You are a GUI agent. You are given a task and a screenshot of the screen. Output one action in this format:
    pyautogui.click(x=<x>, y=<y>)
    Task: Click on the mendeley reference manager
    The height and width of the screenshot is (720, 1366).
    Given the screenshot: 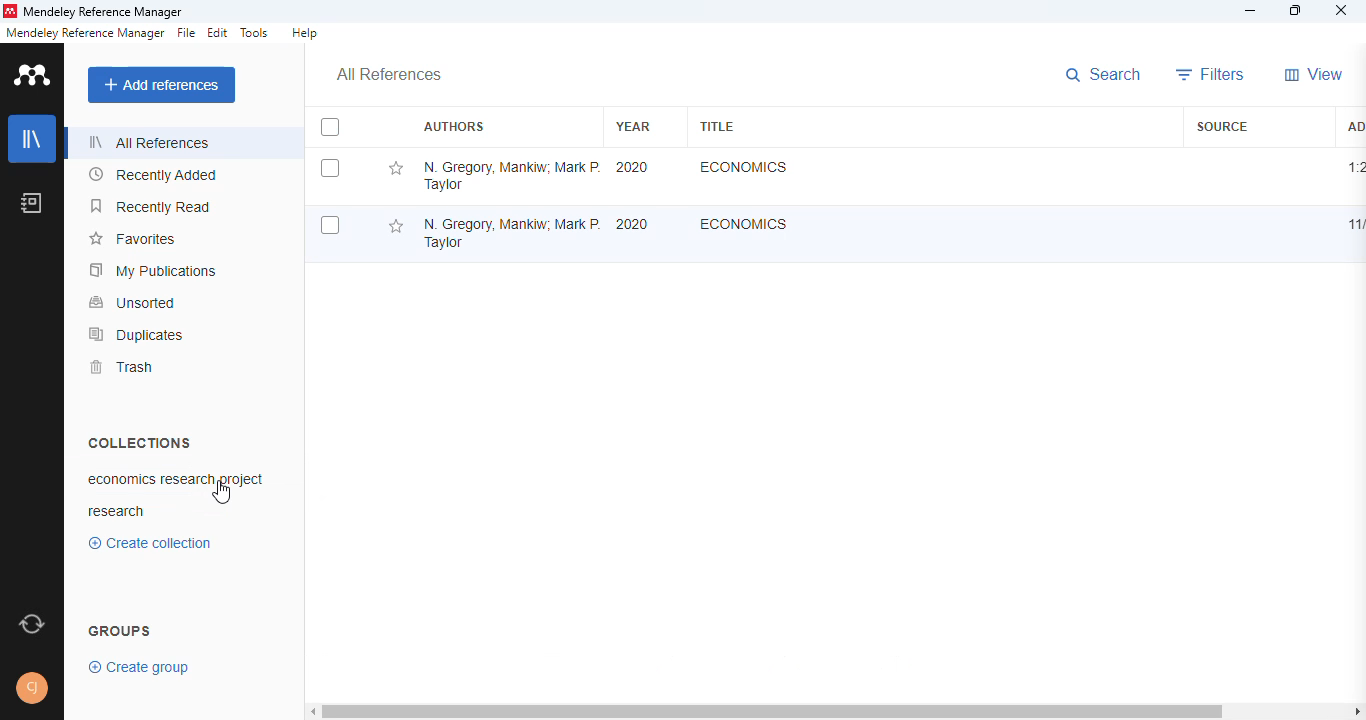 What is the action you would take?
    pyautogui.click(x=85, y=33)
    